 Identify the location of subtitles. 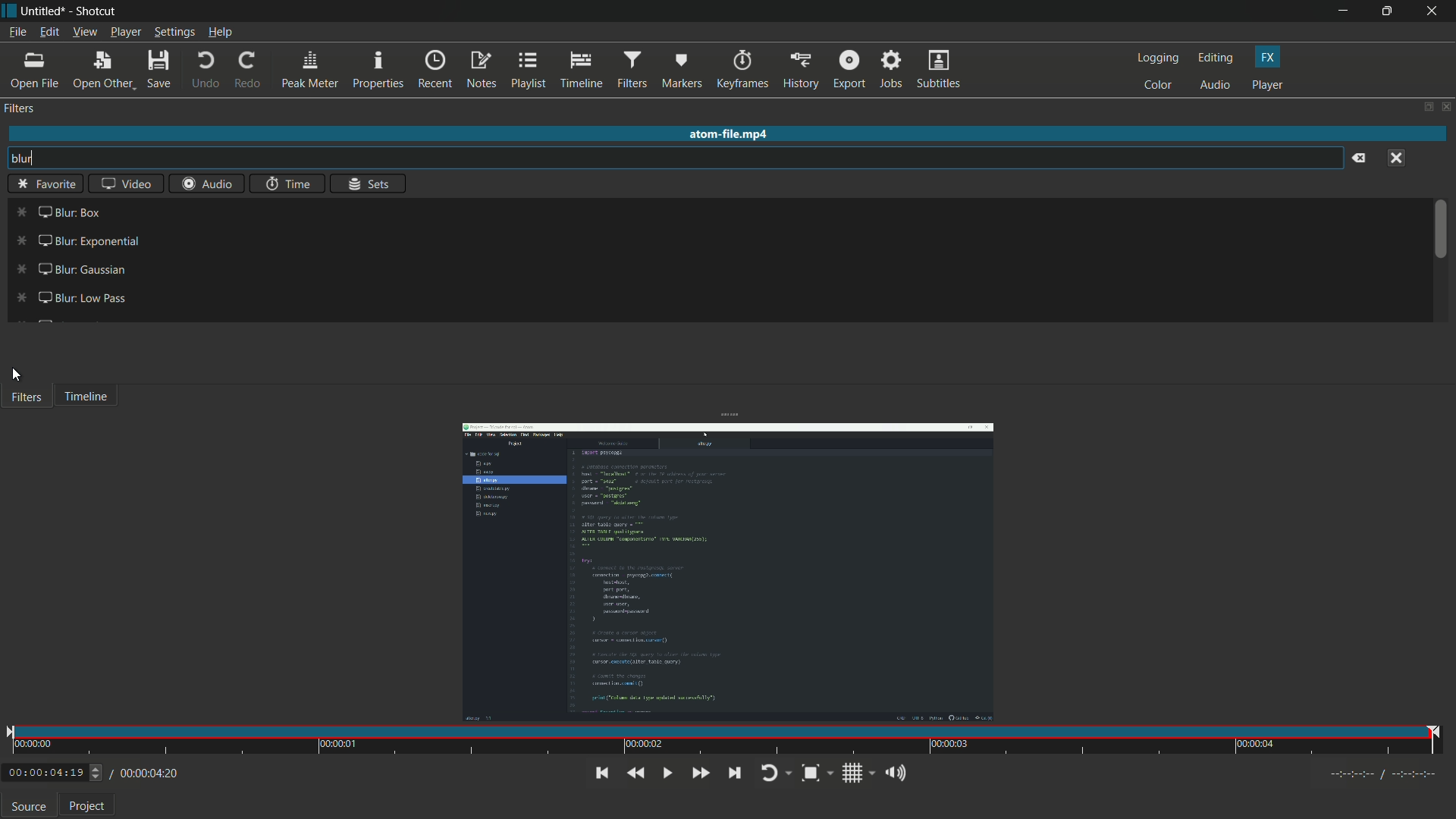
(938, 71).